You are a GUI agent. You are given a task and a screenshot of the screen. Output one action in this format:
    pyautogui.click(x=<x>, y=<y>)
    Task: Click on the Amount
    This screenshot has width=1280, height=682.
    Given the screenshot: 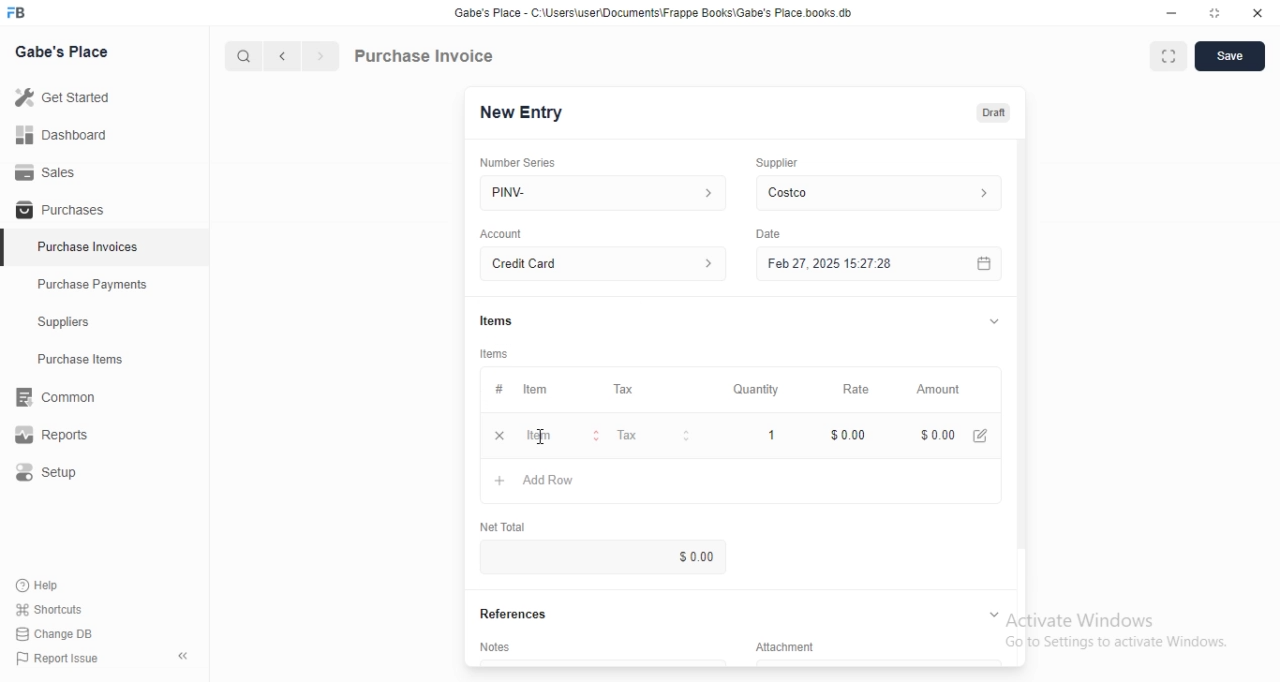 What is the action you would take?
    pyautogui.click(x=943, y=390)
    